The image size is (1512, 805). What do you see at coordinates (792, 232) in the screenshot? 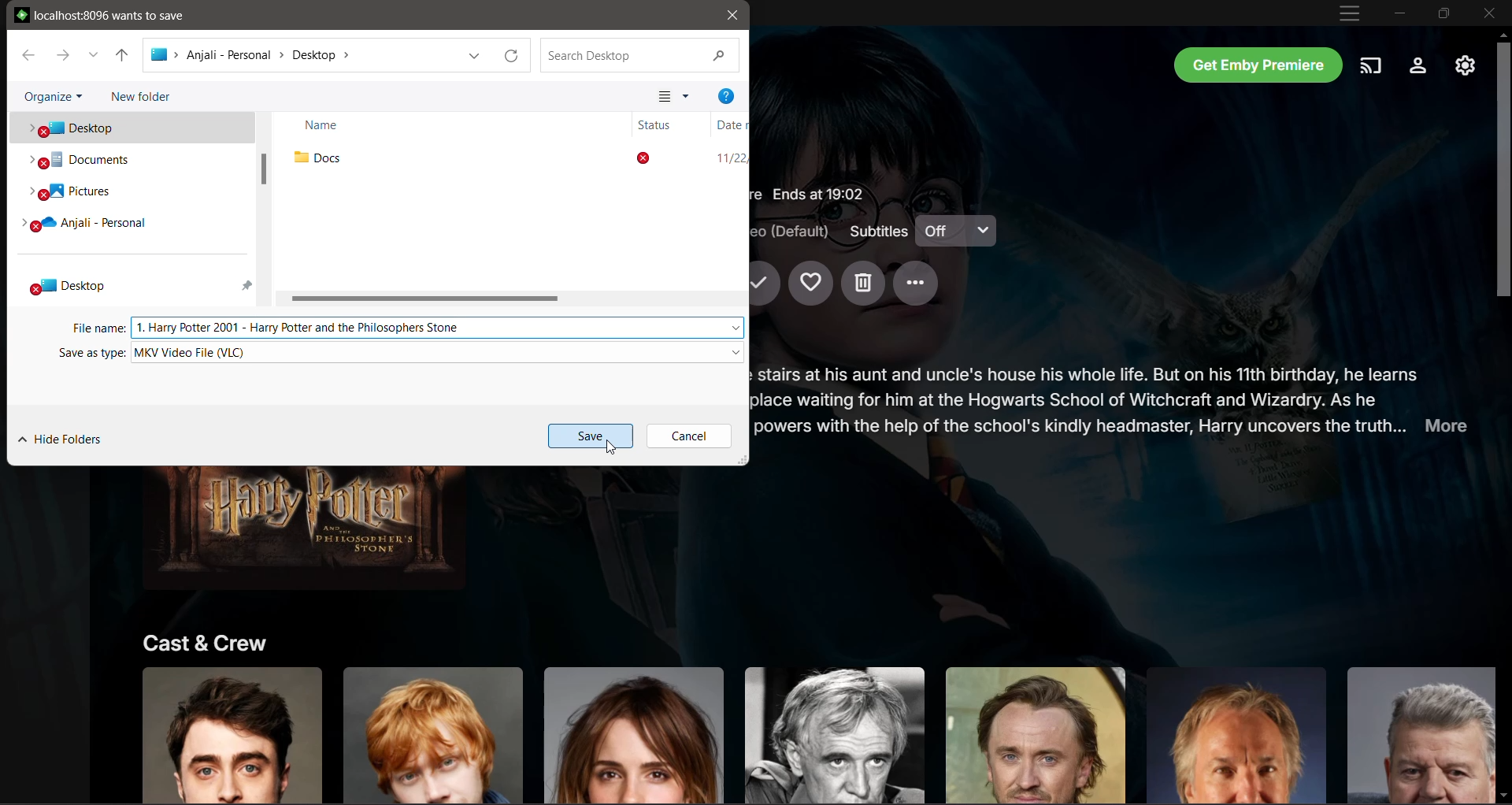
I see `Audio ` at bounding box center [792, 232].